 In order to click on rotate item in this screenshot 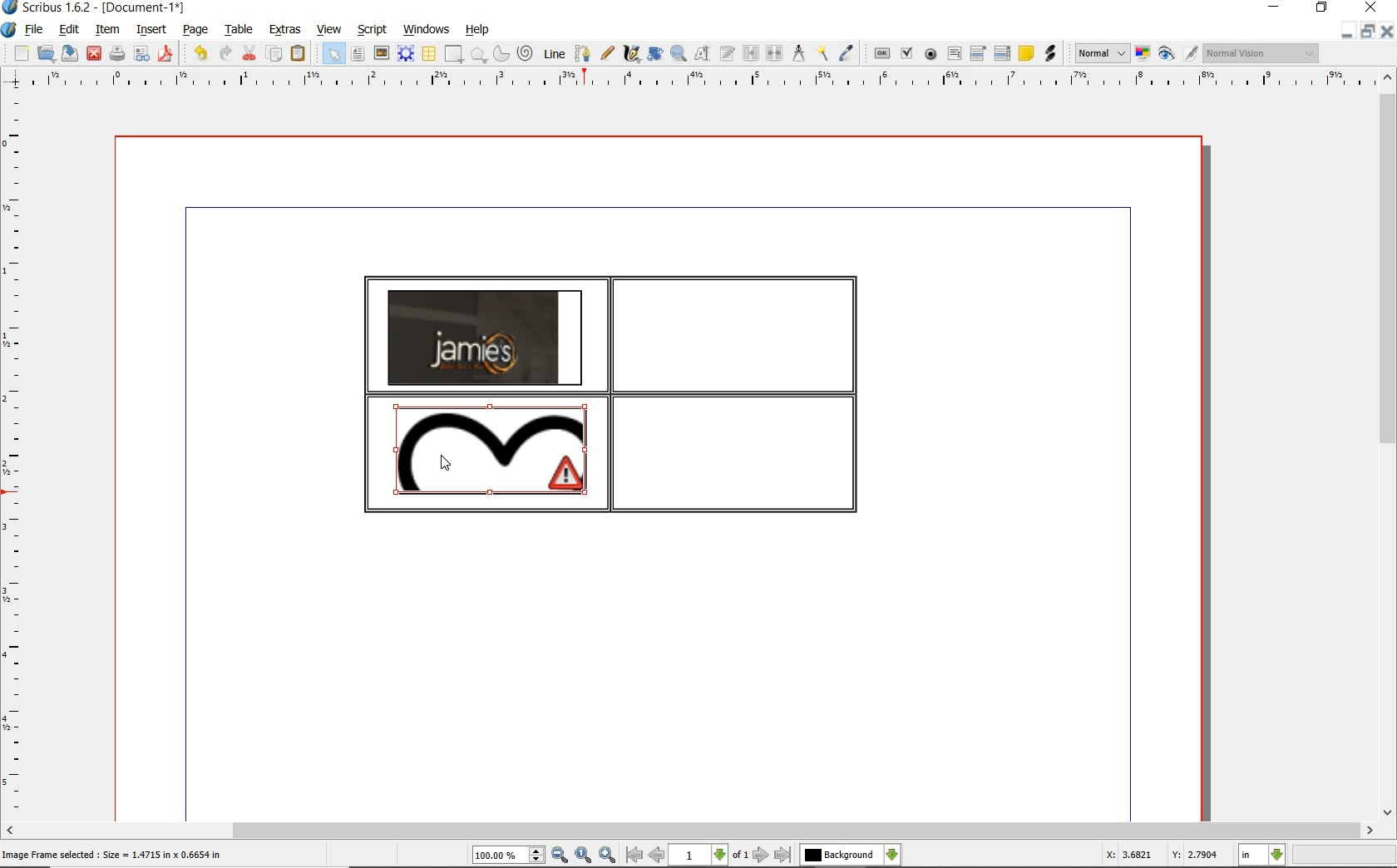, I will do `click(654, 55)`.